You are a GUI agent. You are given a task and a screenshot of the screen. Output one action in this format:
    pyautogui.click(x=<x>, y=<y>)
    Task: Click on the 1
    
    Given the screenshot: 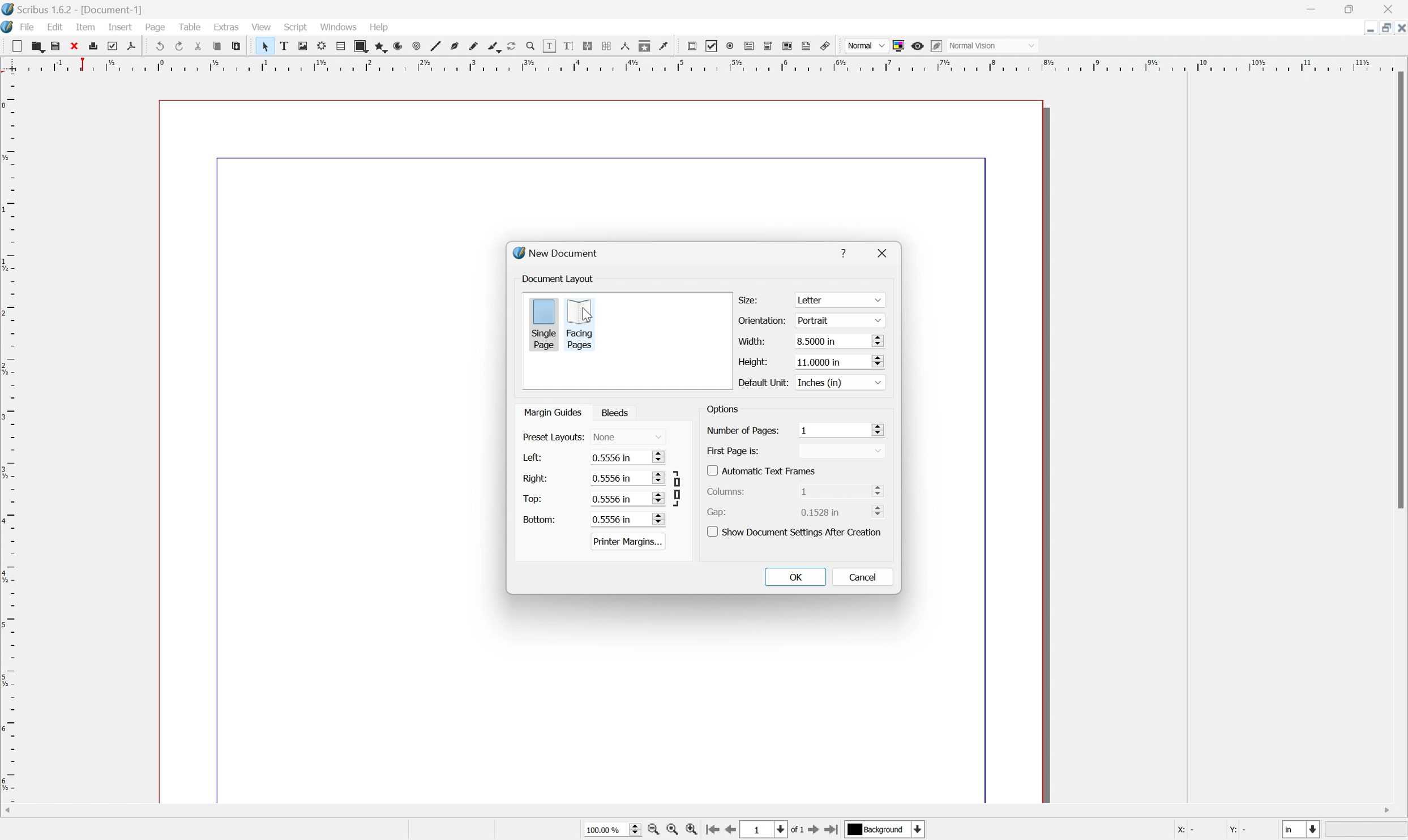 What is the action you would take?
    pyautogui.click(x=765, y=829)
    